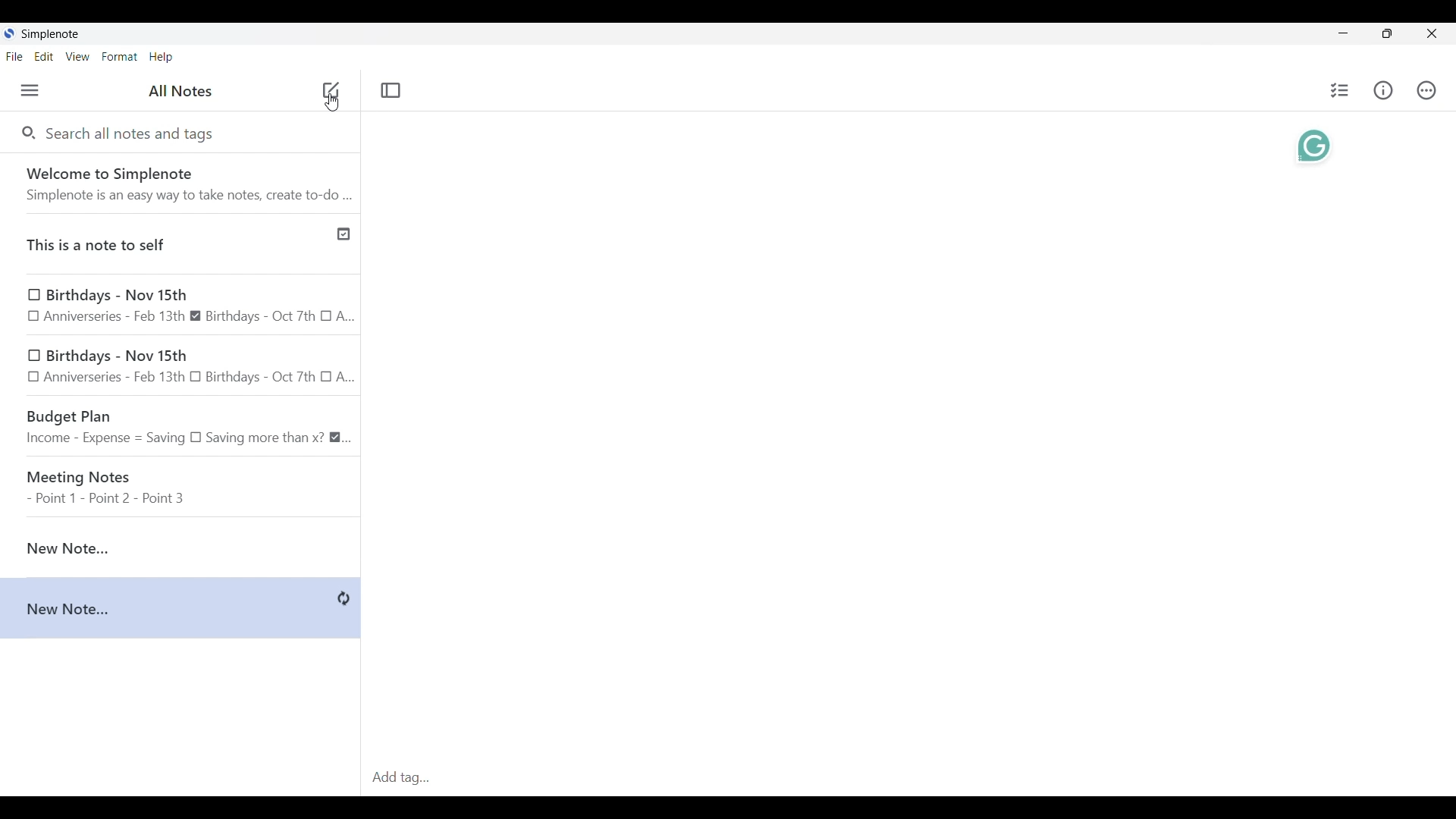 The height and width of the screenshot is (819, 1456). I want to click on Published note indicated by check icon, so click(183, 239).